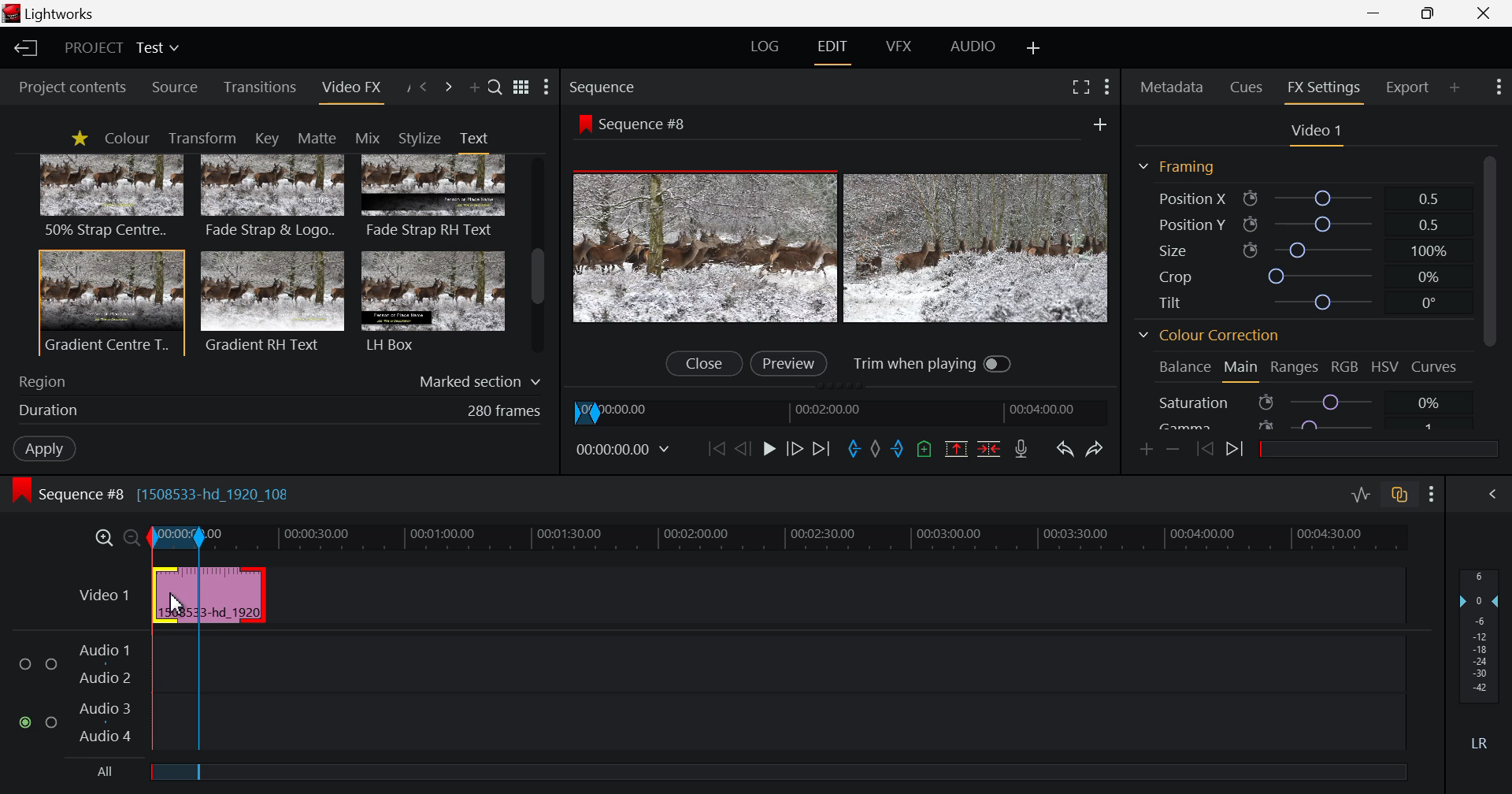 The image size is (1512, 794). I want to click on Mix, so click(372, 137).